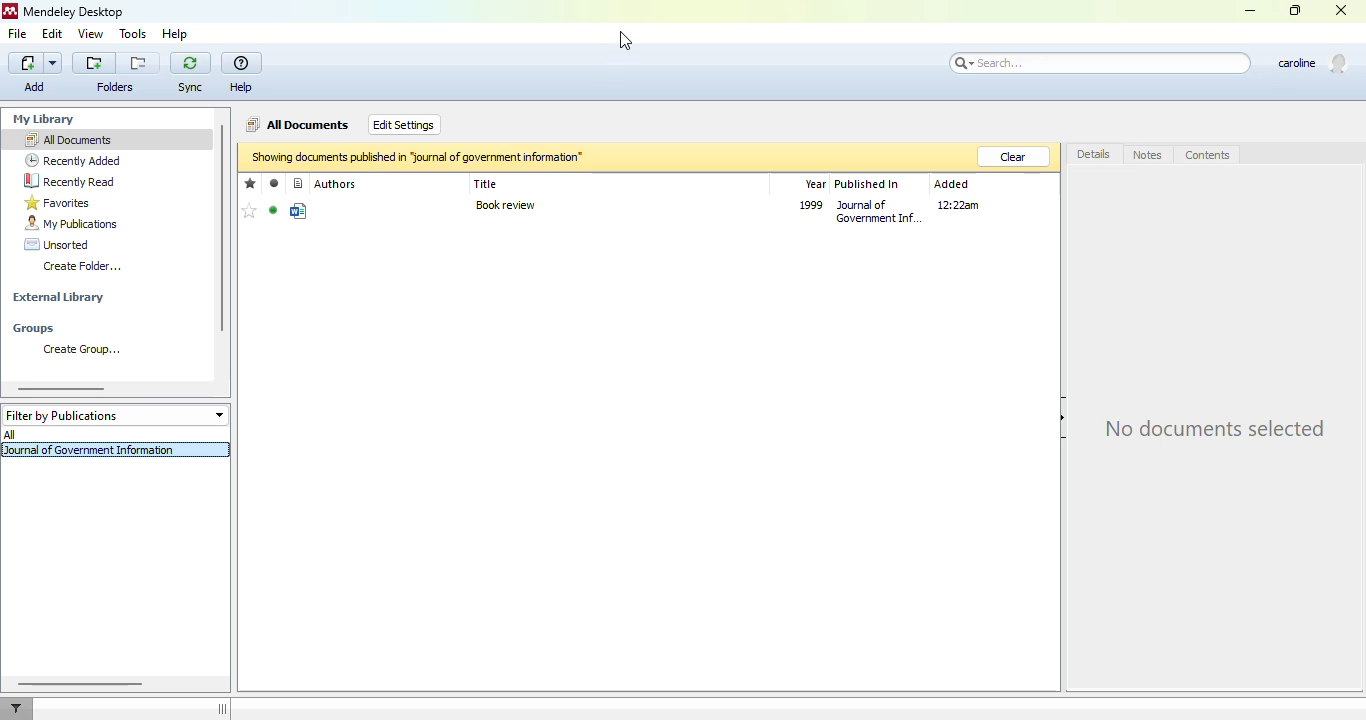  What do you see at coordinates (1251, 11) in the screenshot?
I see `minimize` at bounding box center [1251, 11].